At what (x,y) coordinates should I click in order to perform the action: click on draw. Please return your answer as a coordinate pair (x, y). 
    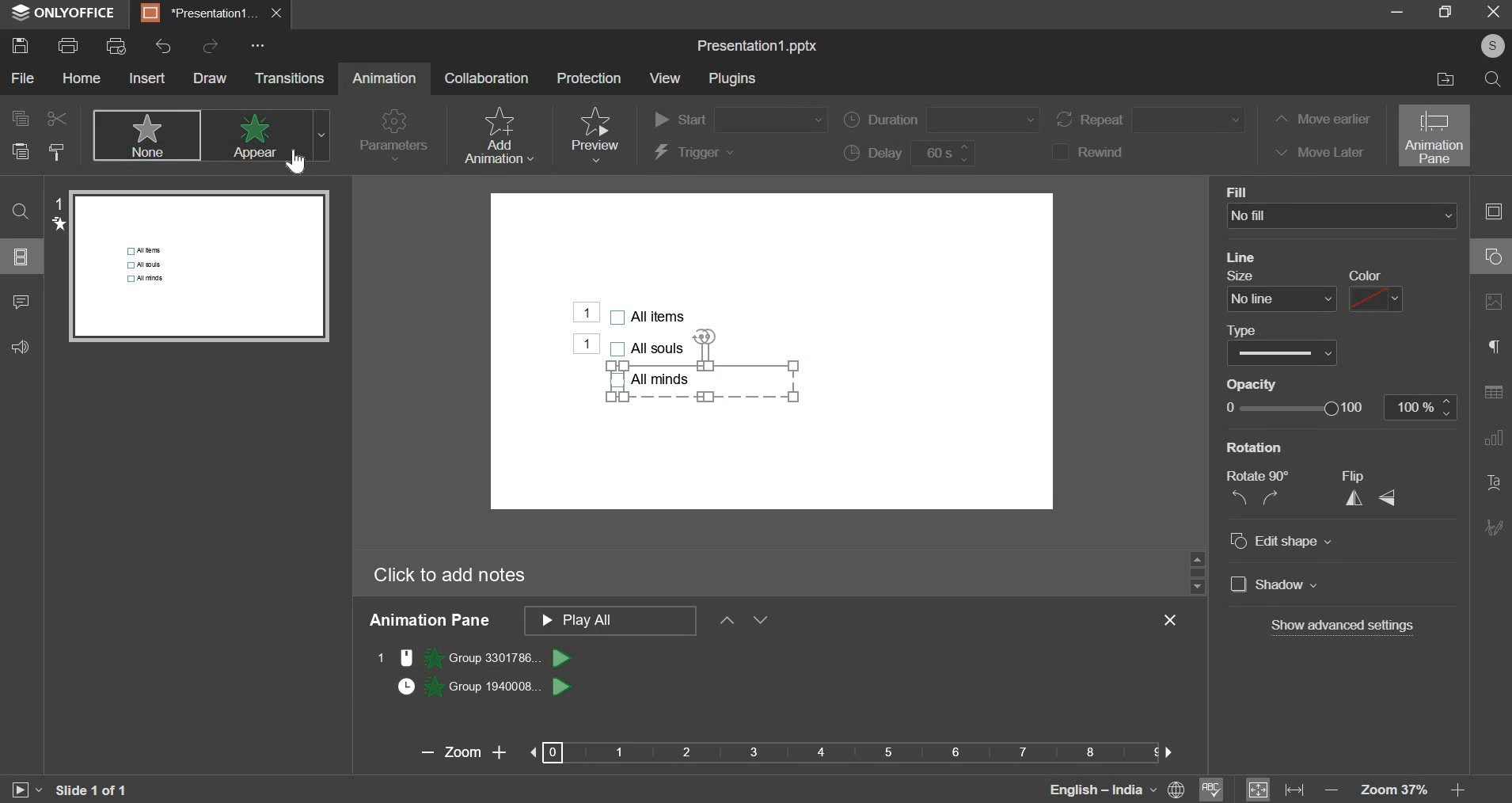
    Looking at the image, I should click on (210, 78).